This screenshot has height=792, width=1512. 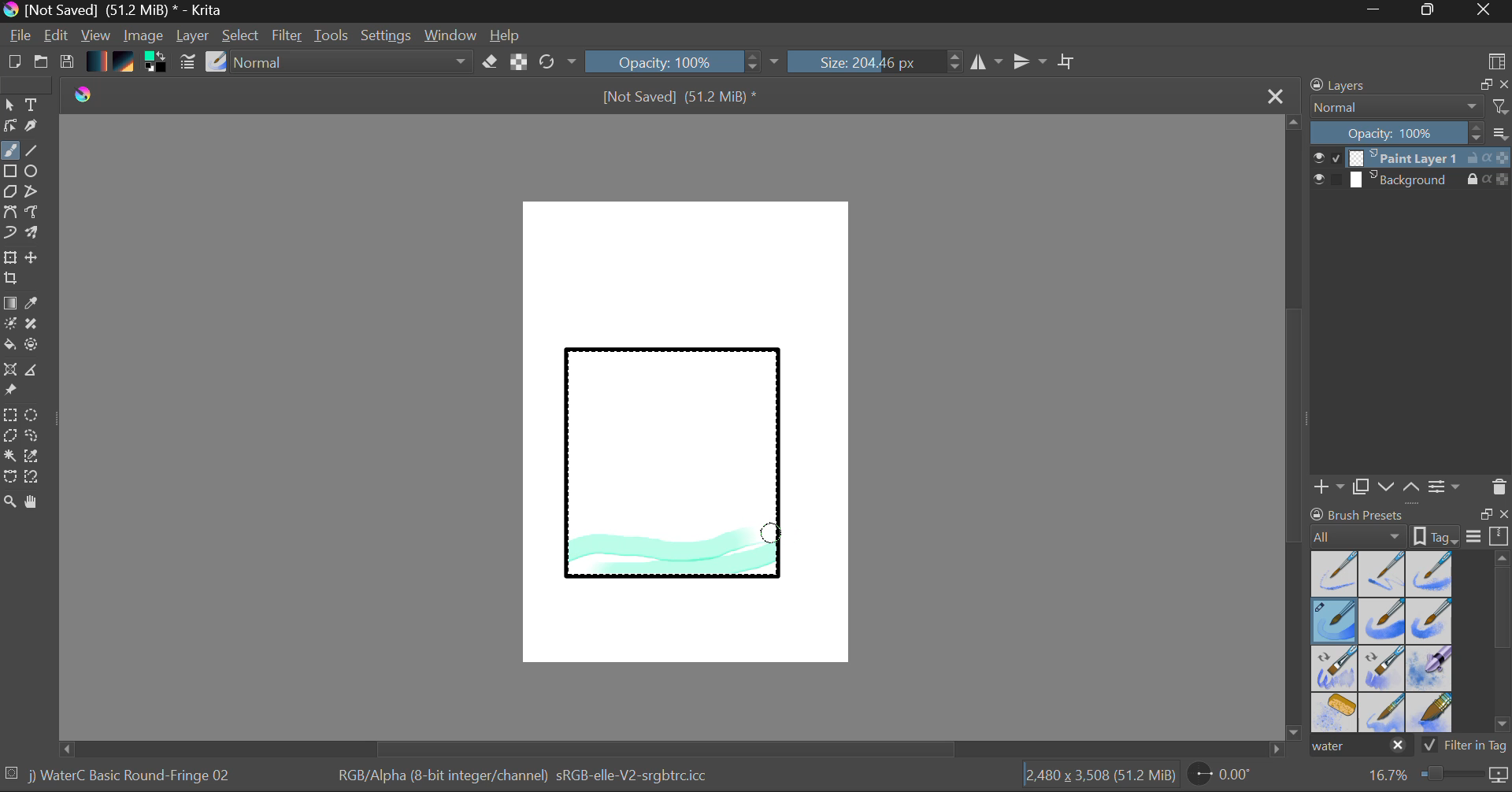 What do you see at coordinates (9, 105) in the screenshot?
I see `Select` at bounding box center [9, 105].